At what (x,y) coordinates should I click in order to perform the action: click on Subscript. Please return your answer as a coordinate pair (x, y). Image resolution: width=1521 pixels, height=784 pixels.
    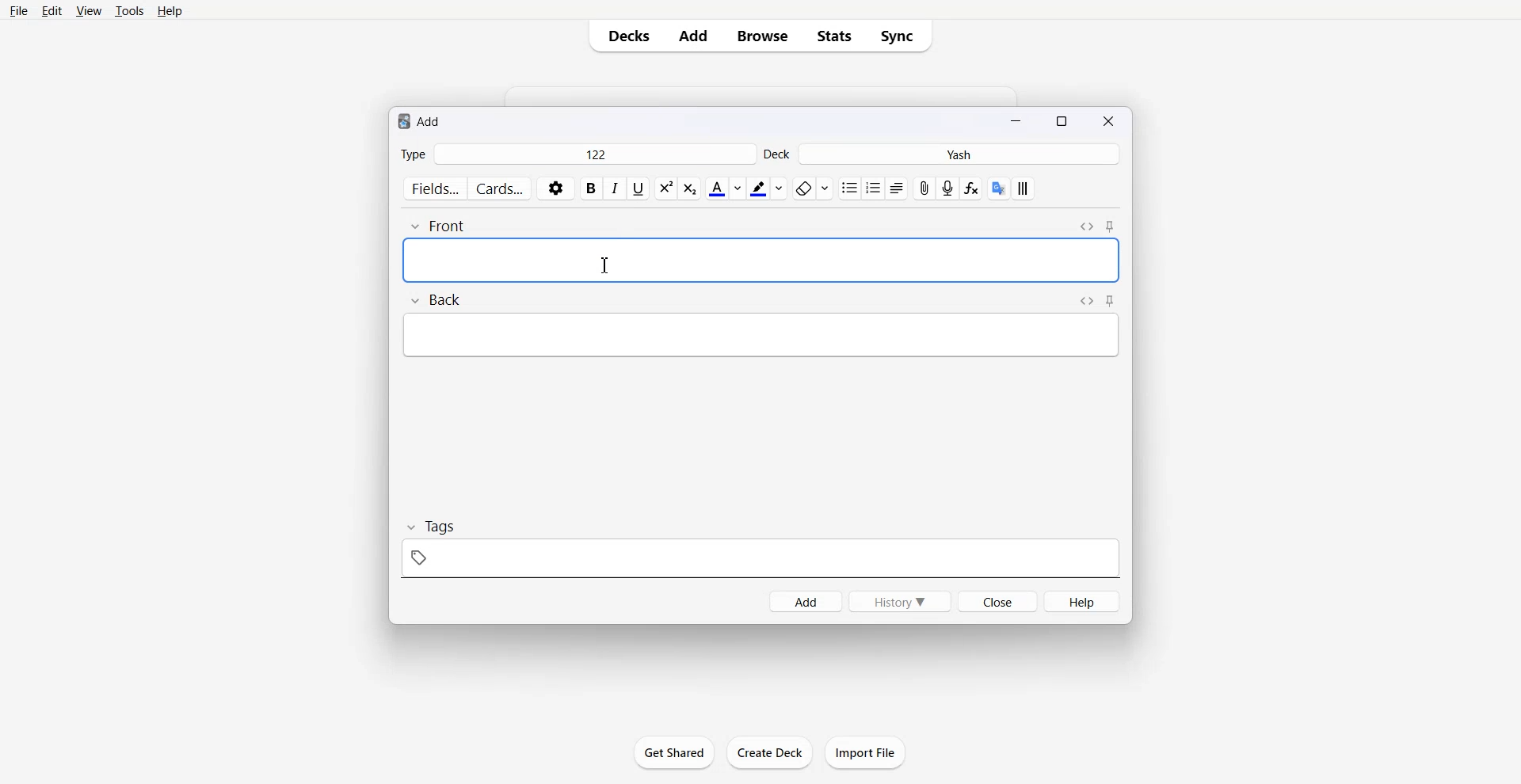
    Looking at the image, I should click on (665, 188).